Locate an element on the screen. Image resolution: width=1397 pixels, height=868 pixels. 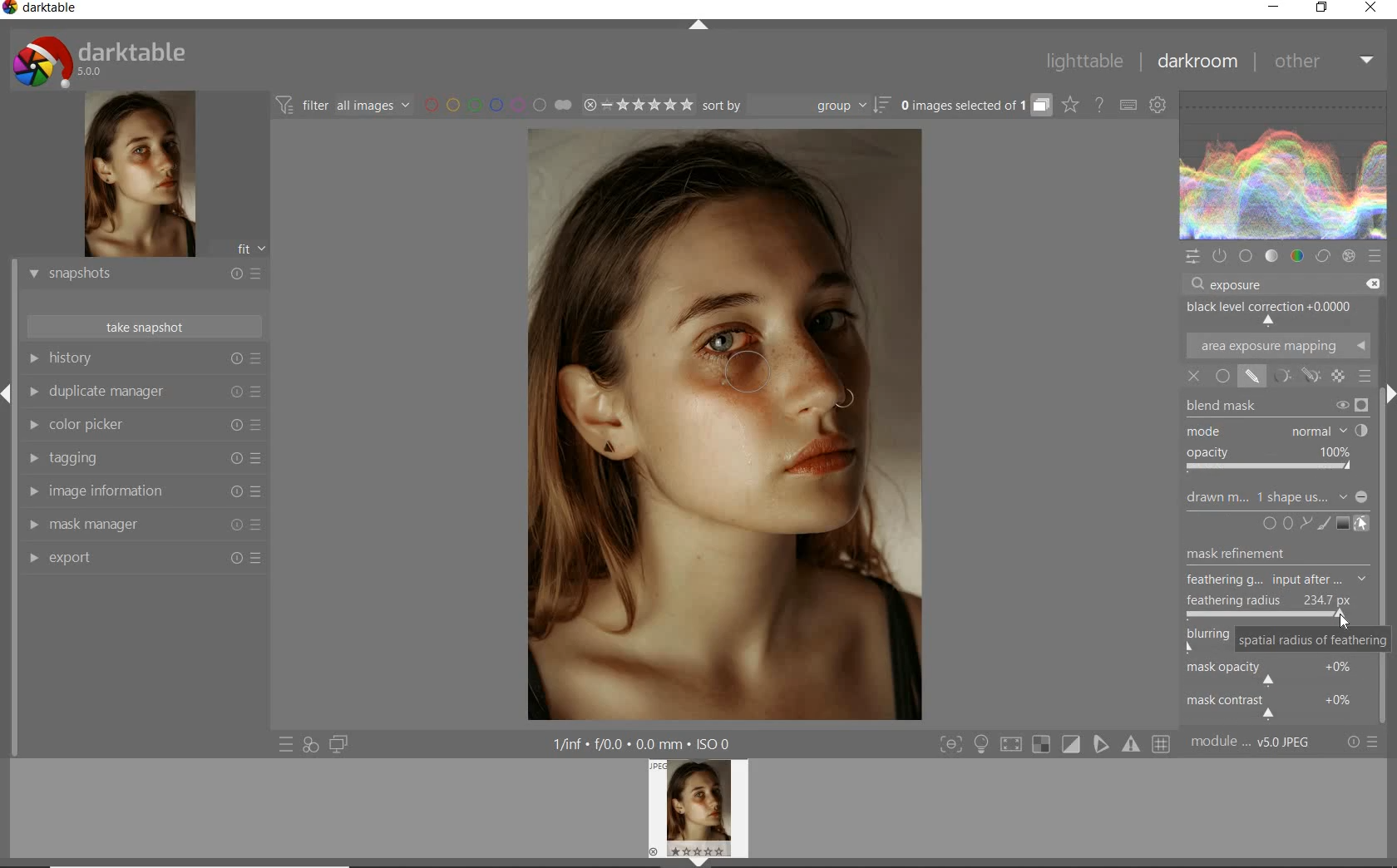
image preview is located at coordinates (701, 813).